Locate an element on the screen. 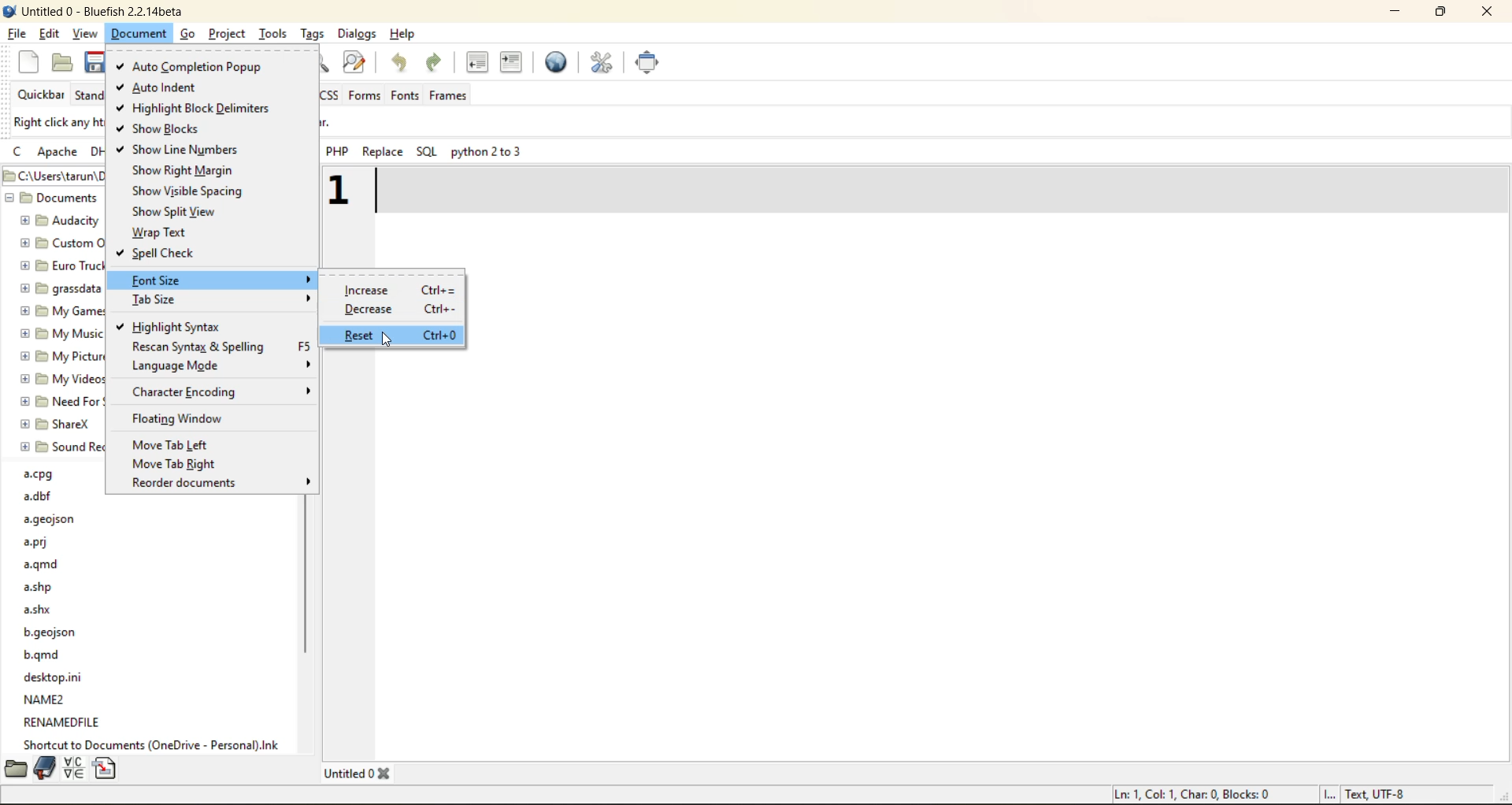 Image resolution: width=1512 pixels, height=805 pixels. decrease is located at coordinates (406, 310).